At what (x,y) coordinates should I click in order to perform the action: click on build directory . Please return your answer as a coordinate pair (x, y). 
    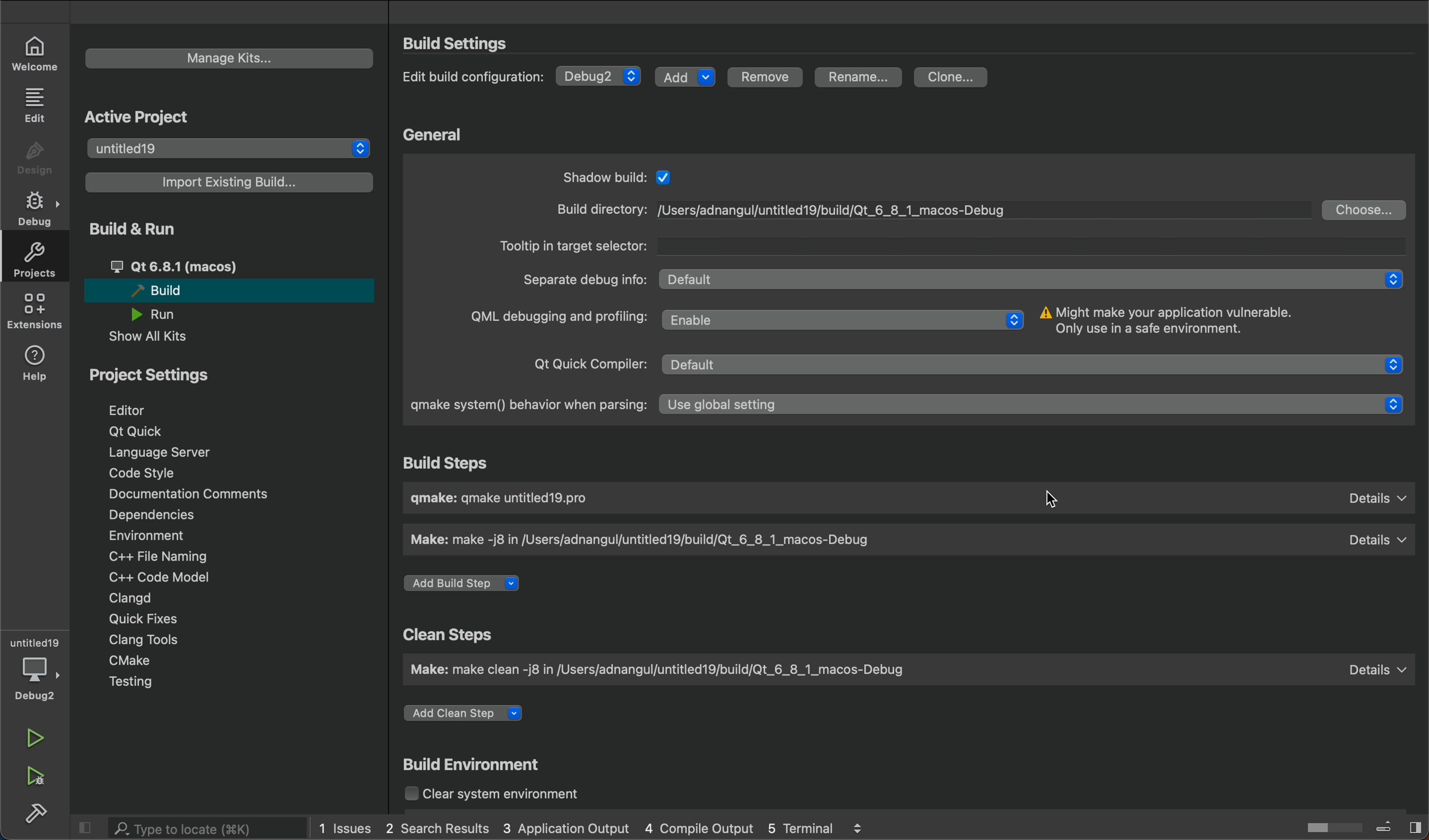
    Looking at the image, I should click on (593, 209).